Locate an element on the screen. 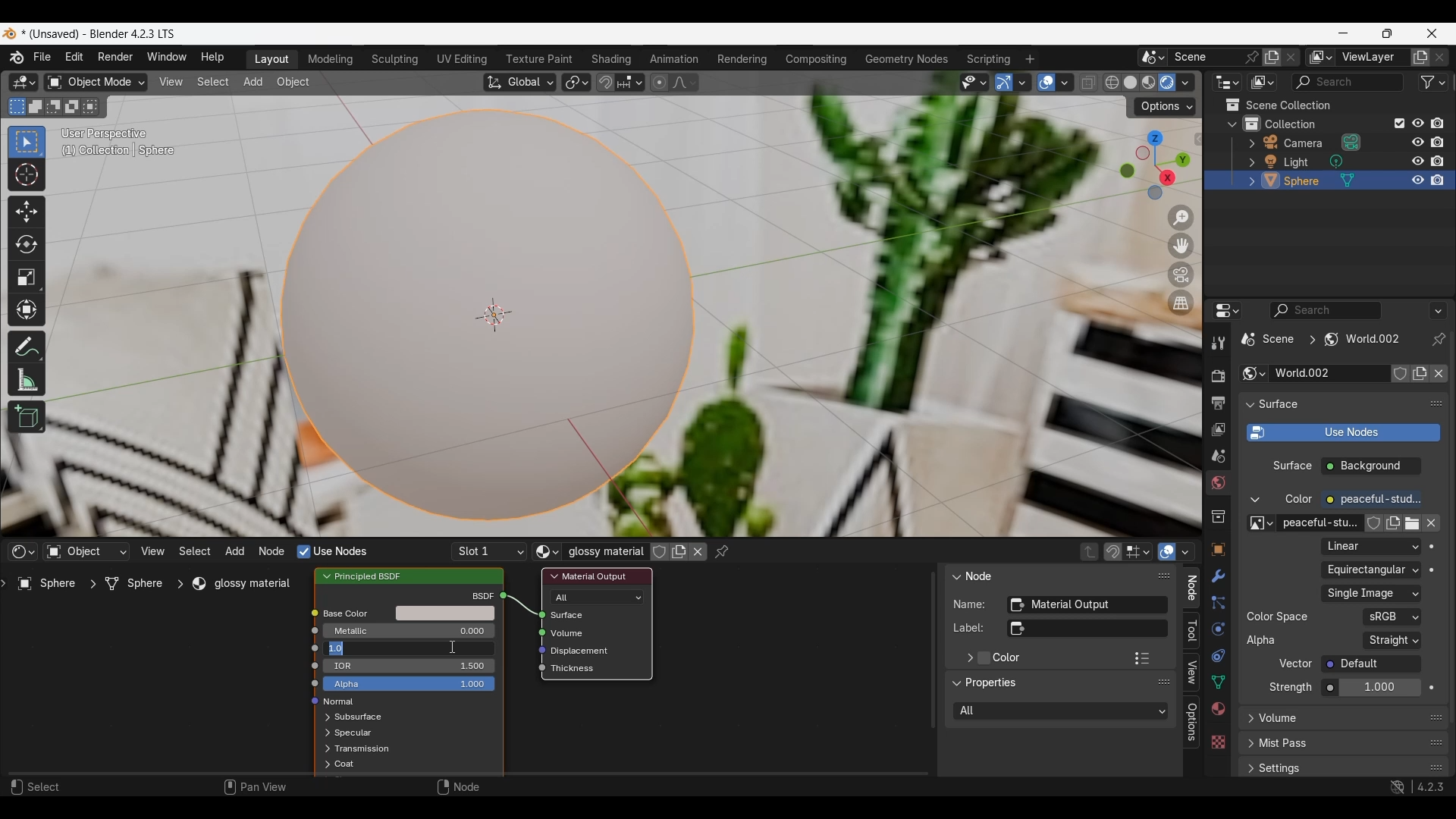  Gizmo options is located at coordinates (1021, 83).